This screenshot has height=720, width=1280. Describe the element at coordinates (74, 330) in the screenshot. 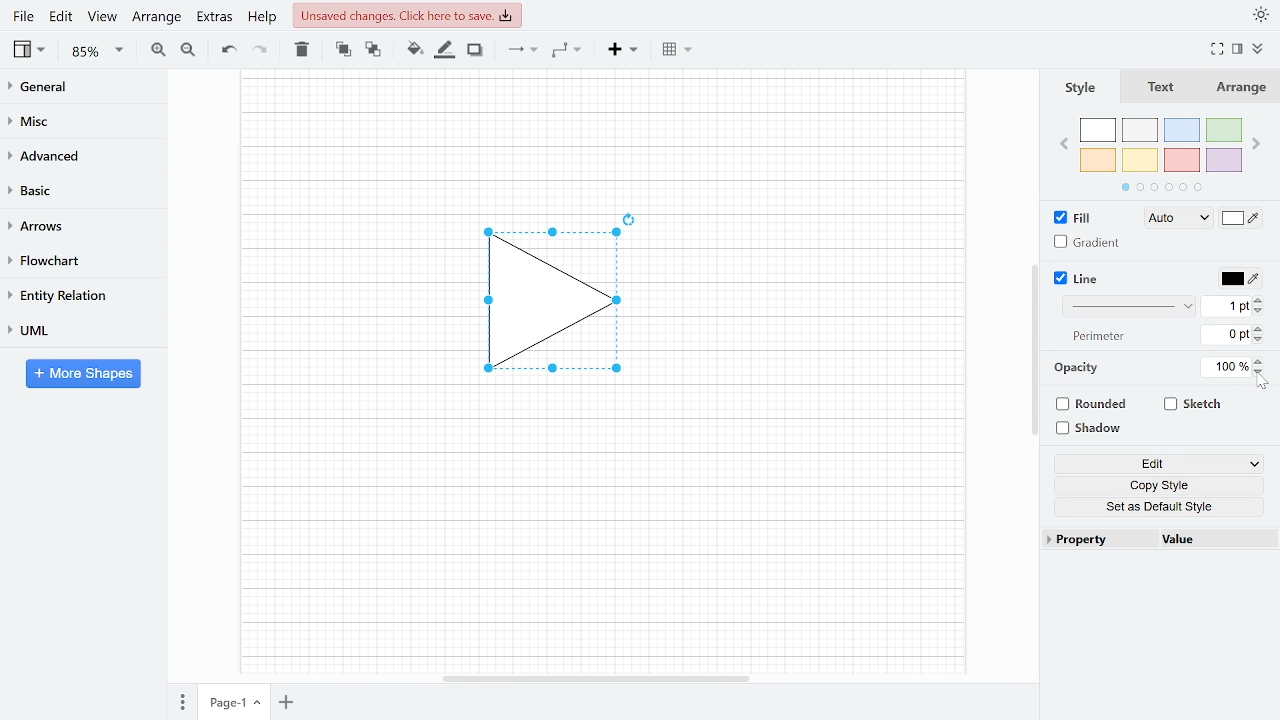

I see `UML` at that location.